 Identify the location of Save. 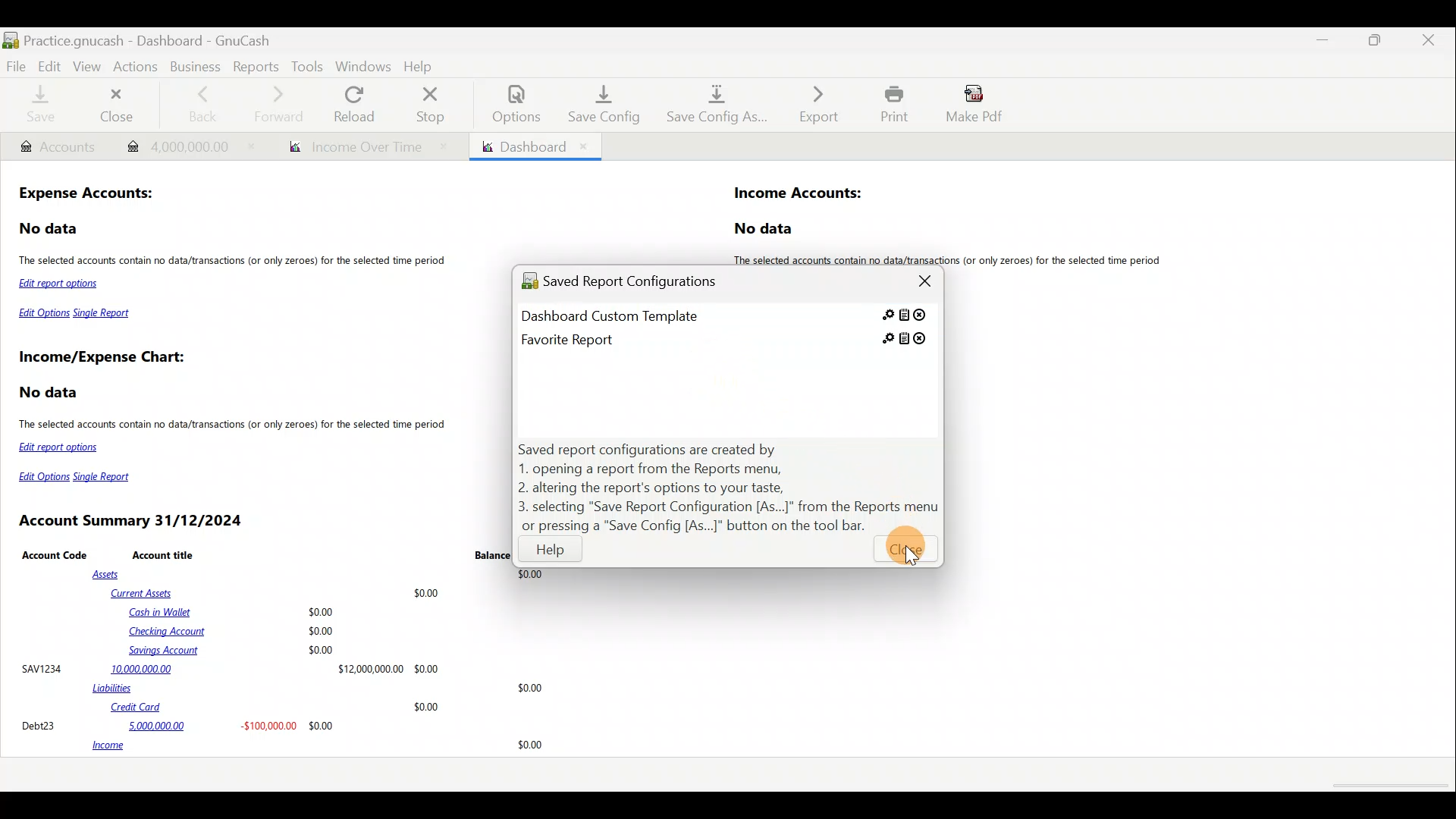
(40, 106).